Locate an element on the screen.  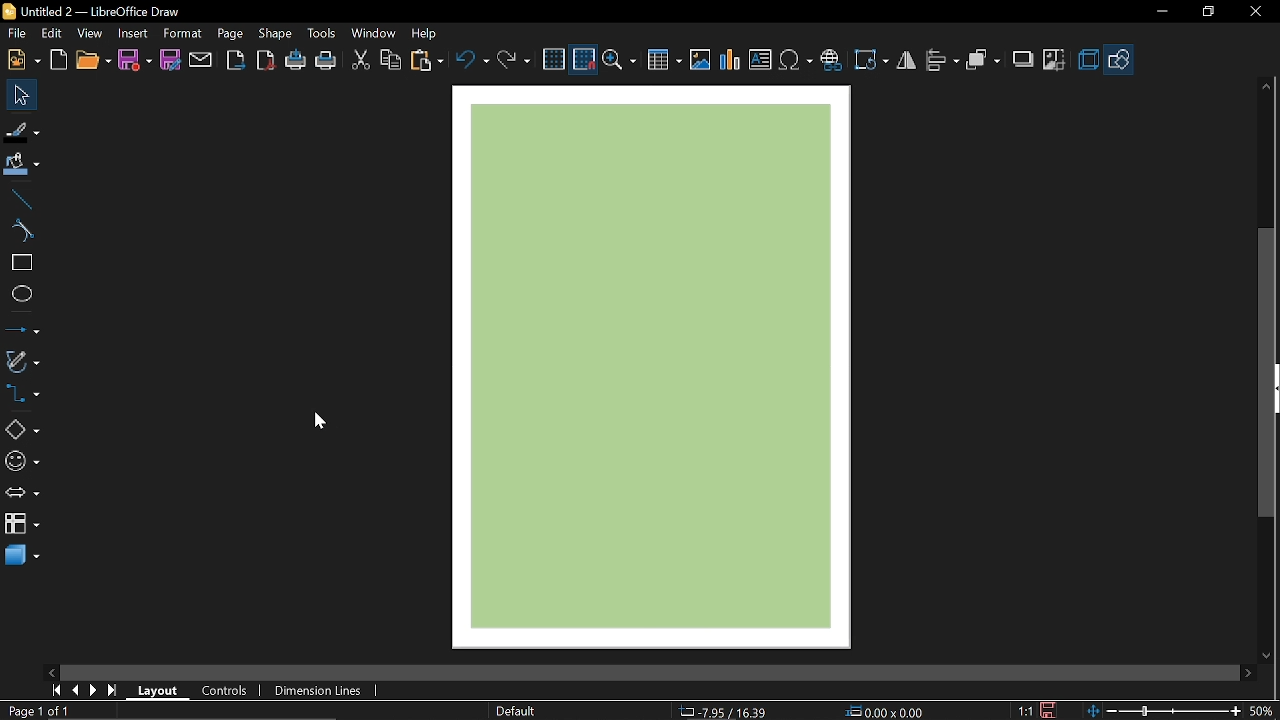
Zoom is located at coordinates (619, 60).